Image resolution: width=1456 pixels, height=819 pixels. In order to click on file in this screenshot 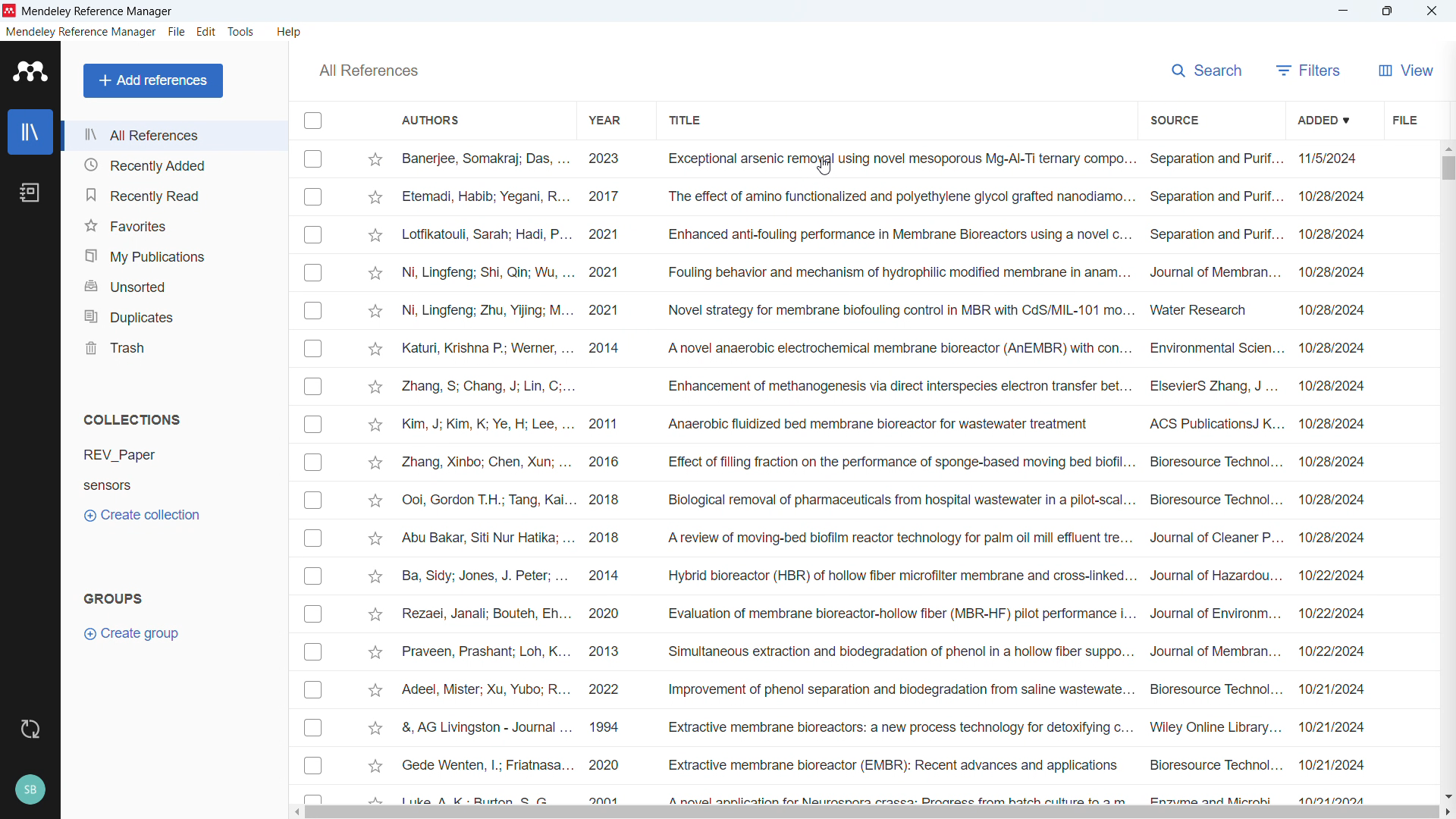, I will do `click(1404, 119)`.